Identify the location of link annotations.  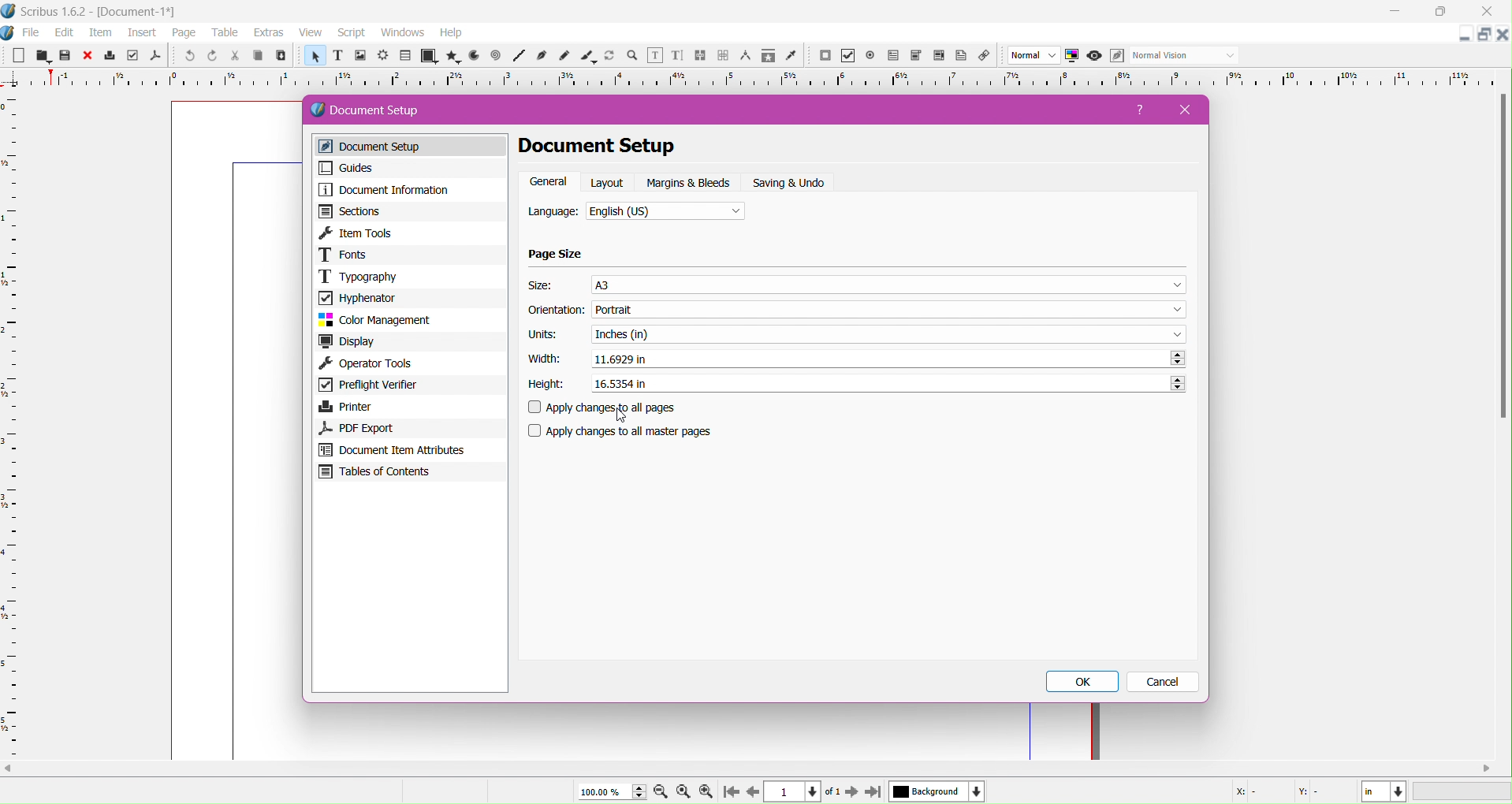
(988, 56).